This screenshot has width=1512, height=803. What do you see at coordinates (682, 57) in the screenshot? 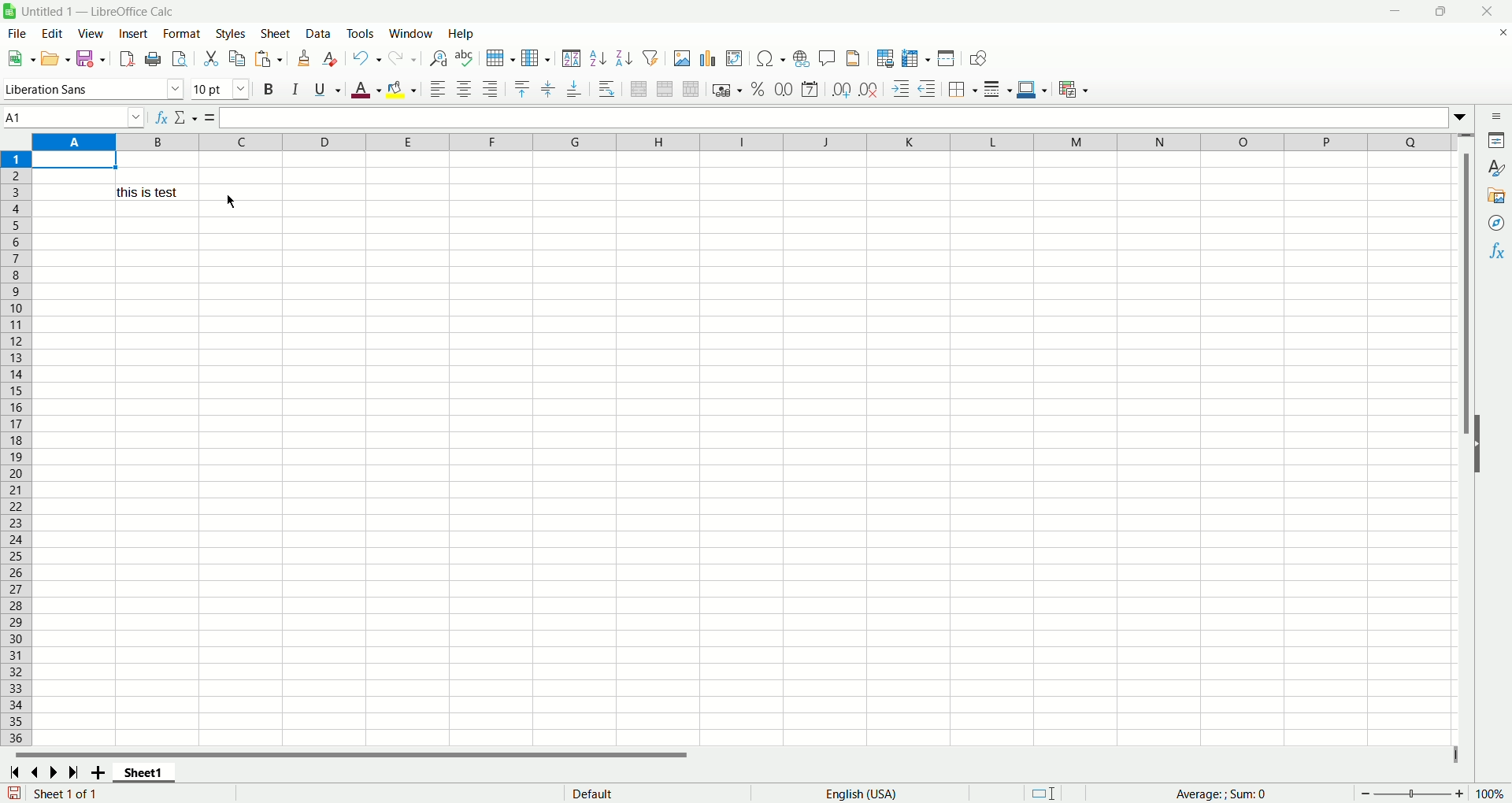
I see `insert image` at bounding box center [682, 57].